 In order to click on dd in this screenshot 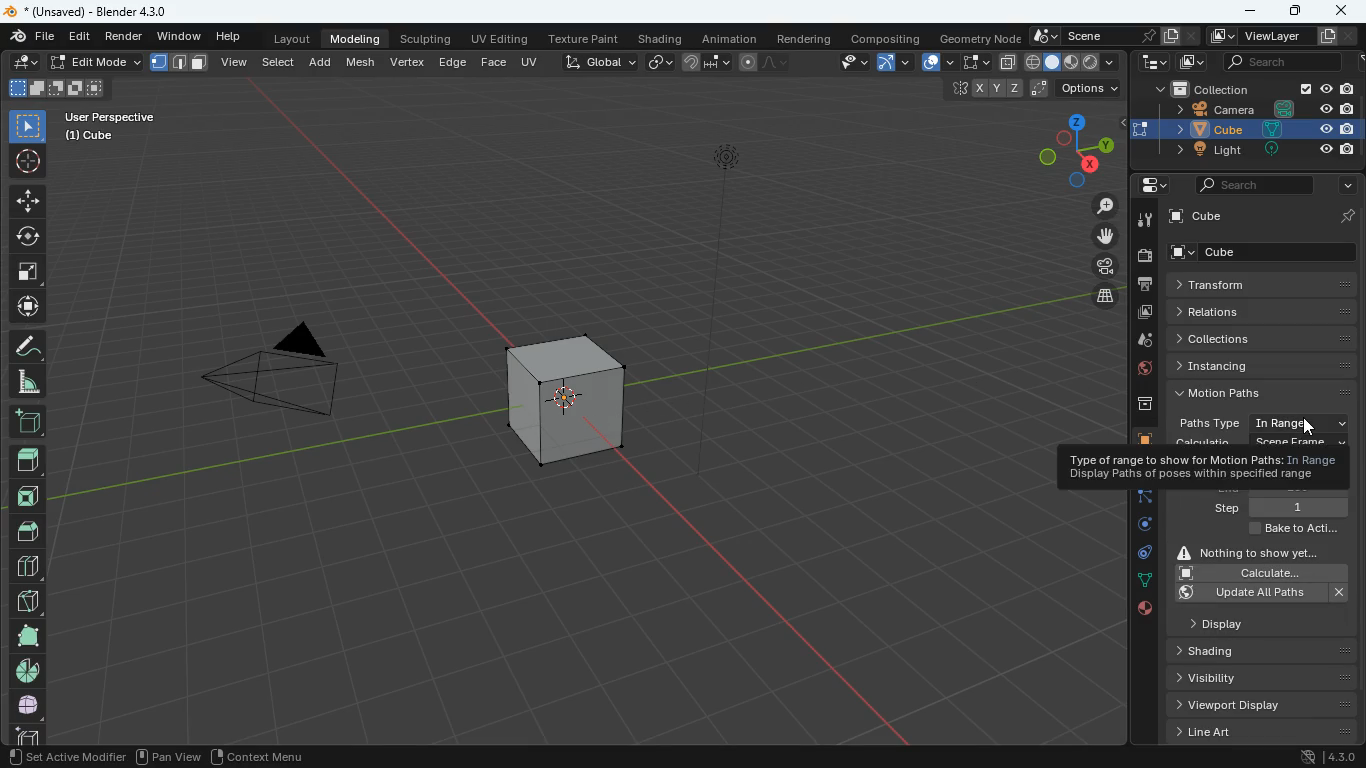, I will do `click(27, 420)`.